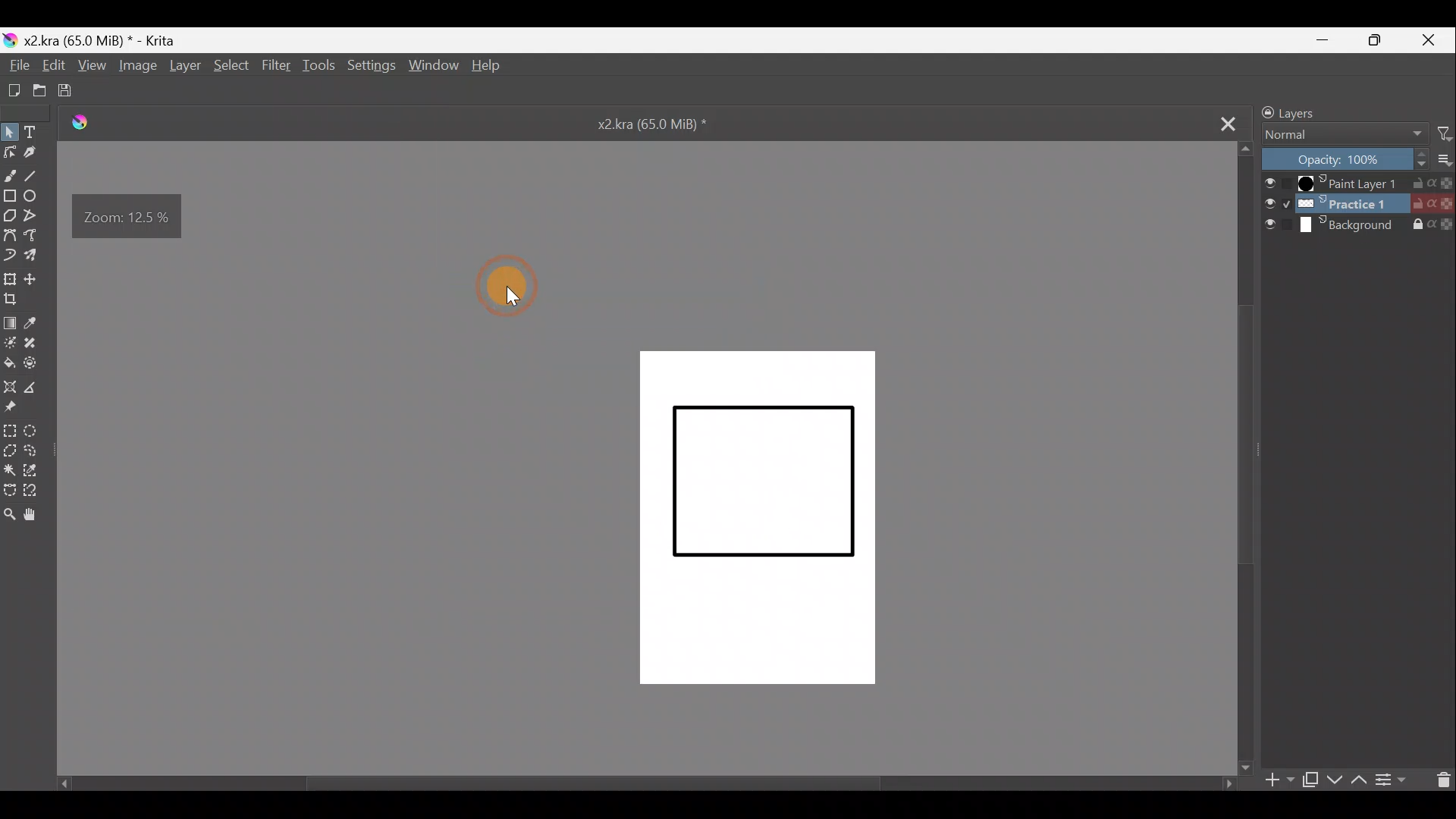  Describe the element at coordinates (186, 68) in the screenshot. I see `Layer` at that location.